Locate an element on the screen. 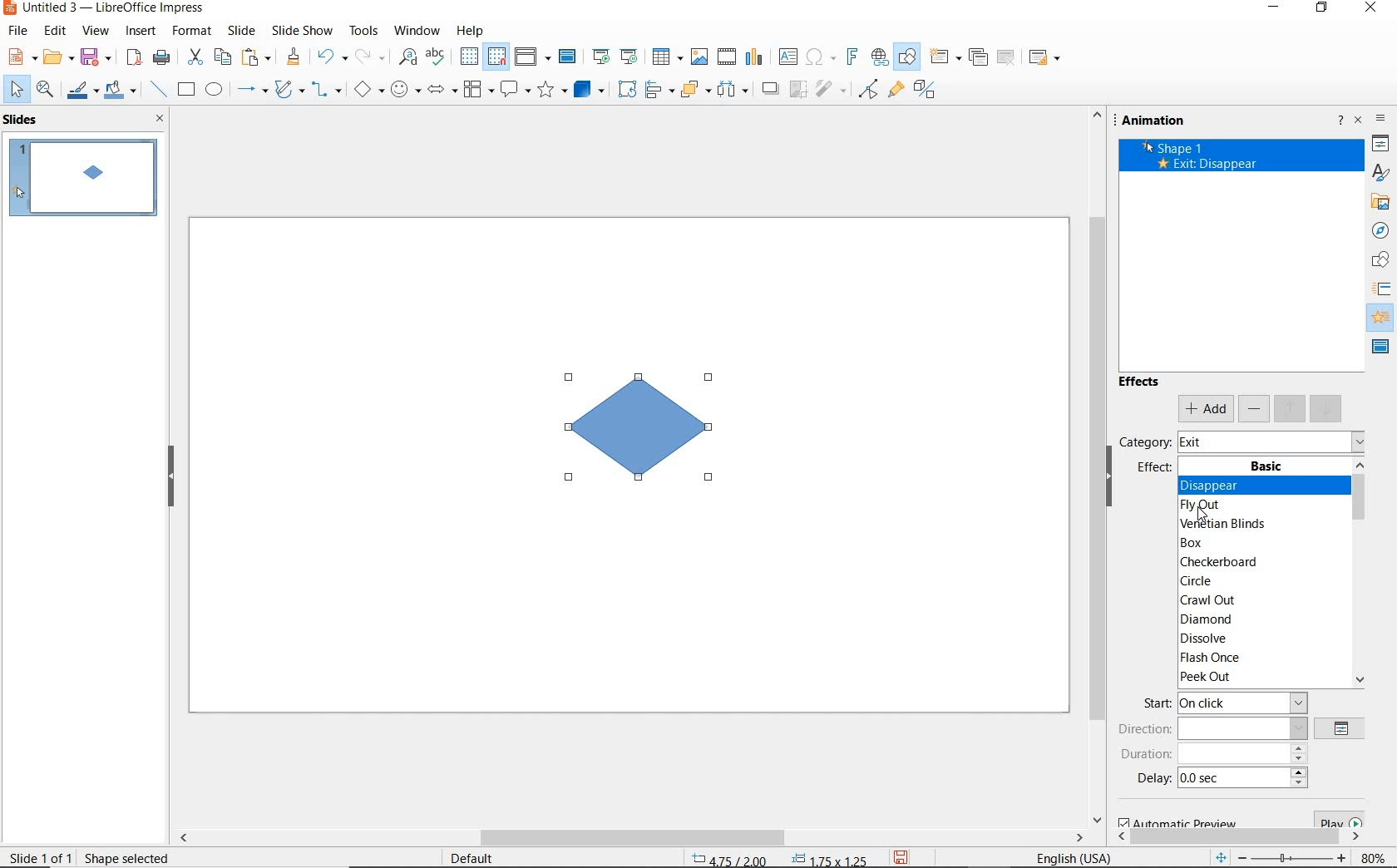 This screenshot has height=868, width=1397. redo is located at coordinates (369, 57).